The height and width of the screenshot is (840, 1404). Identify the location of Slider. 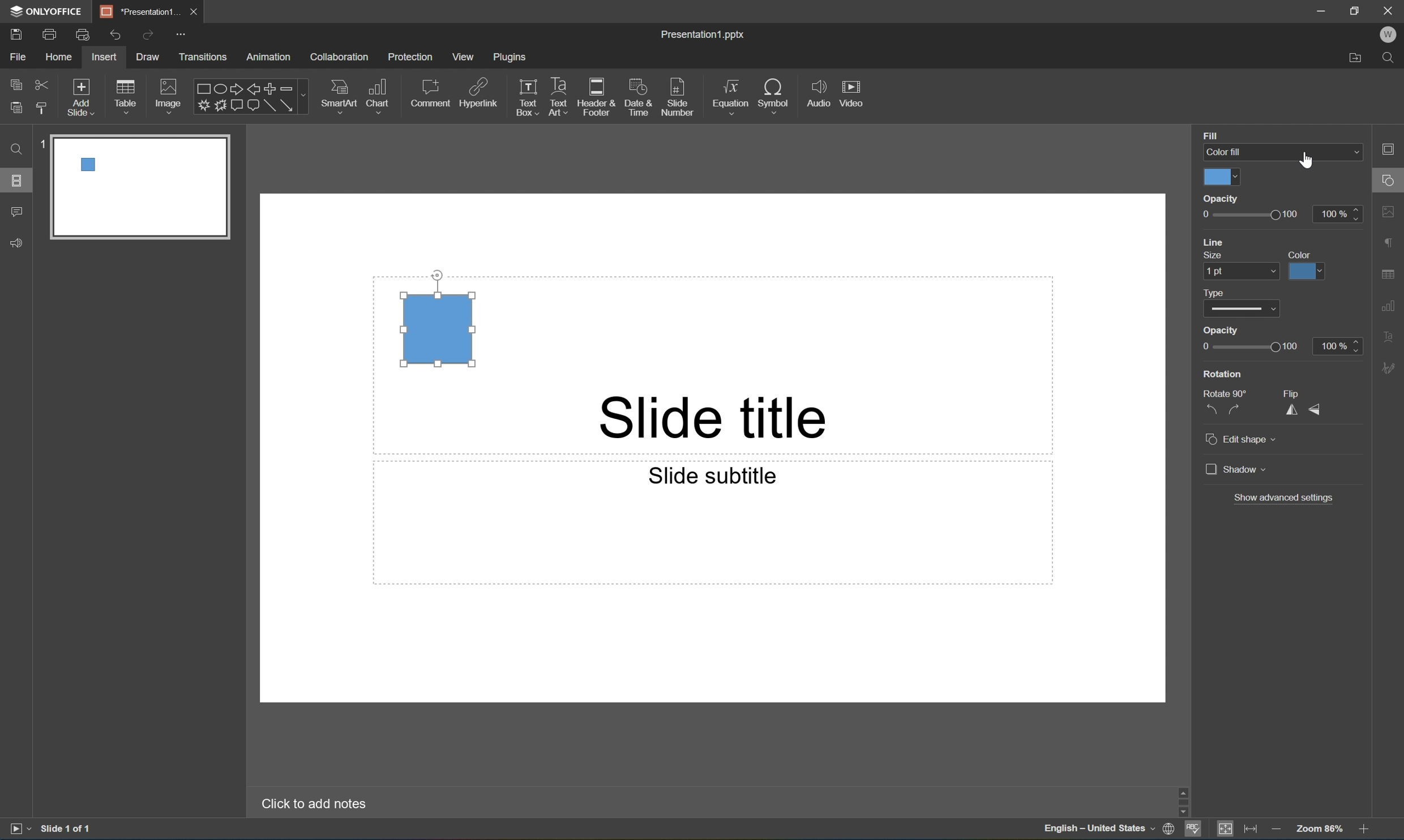
(1248, 347).